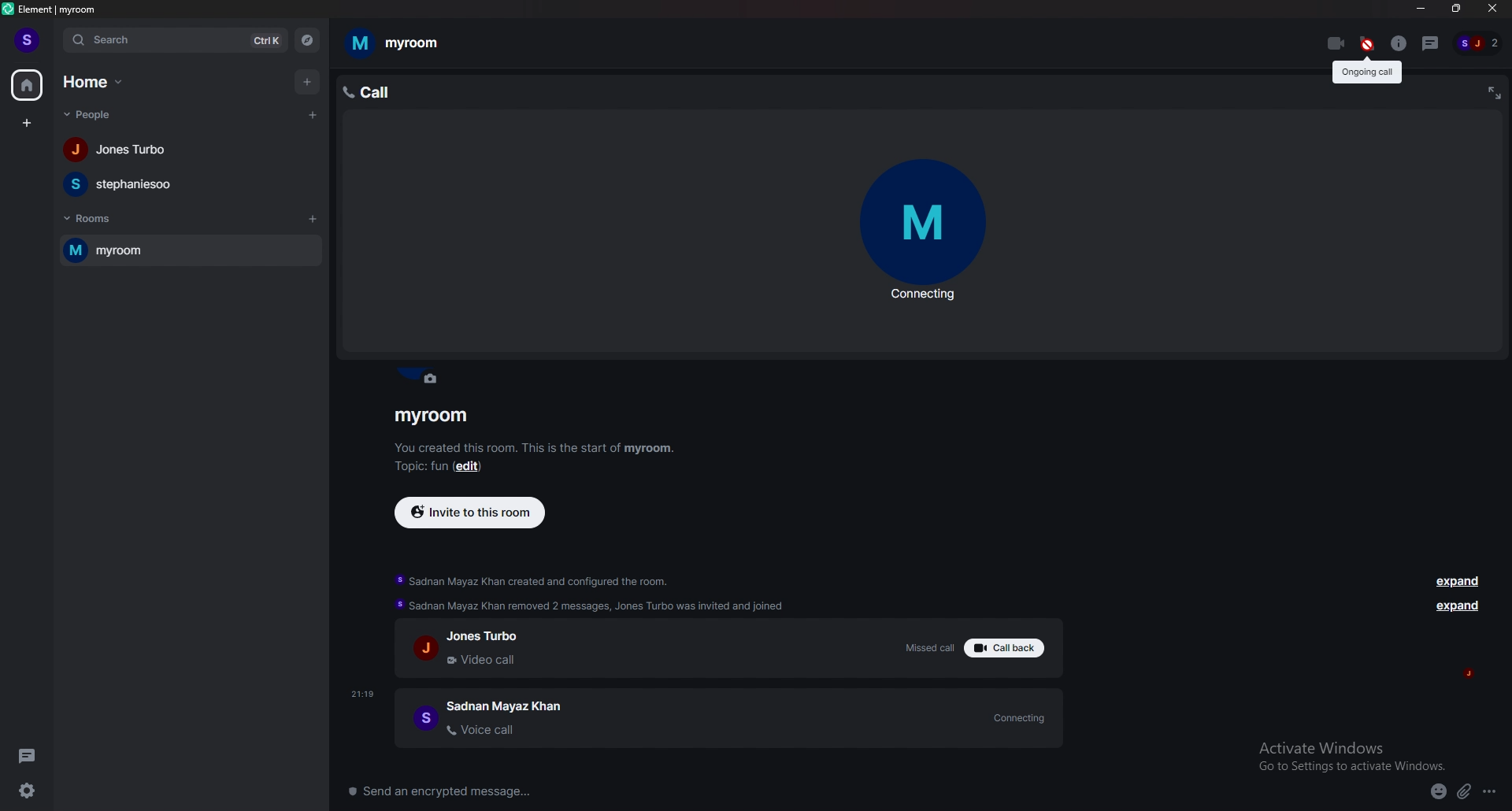 The width and height of the screenshot is (1512, 811). Describe the element at coordinates (190, 150) in the screenshot. I see `jones turbo` at that location.